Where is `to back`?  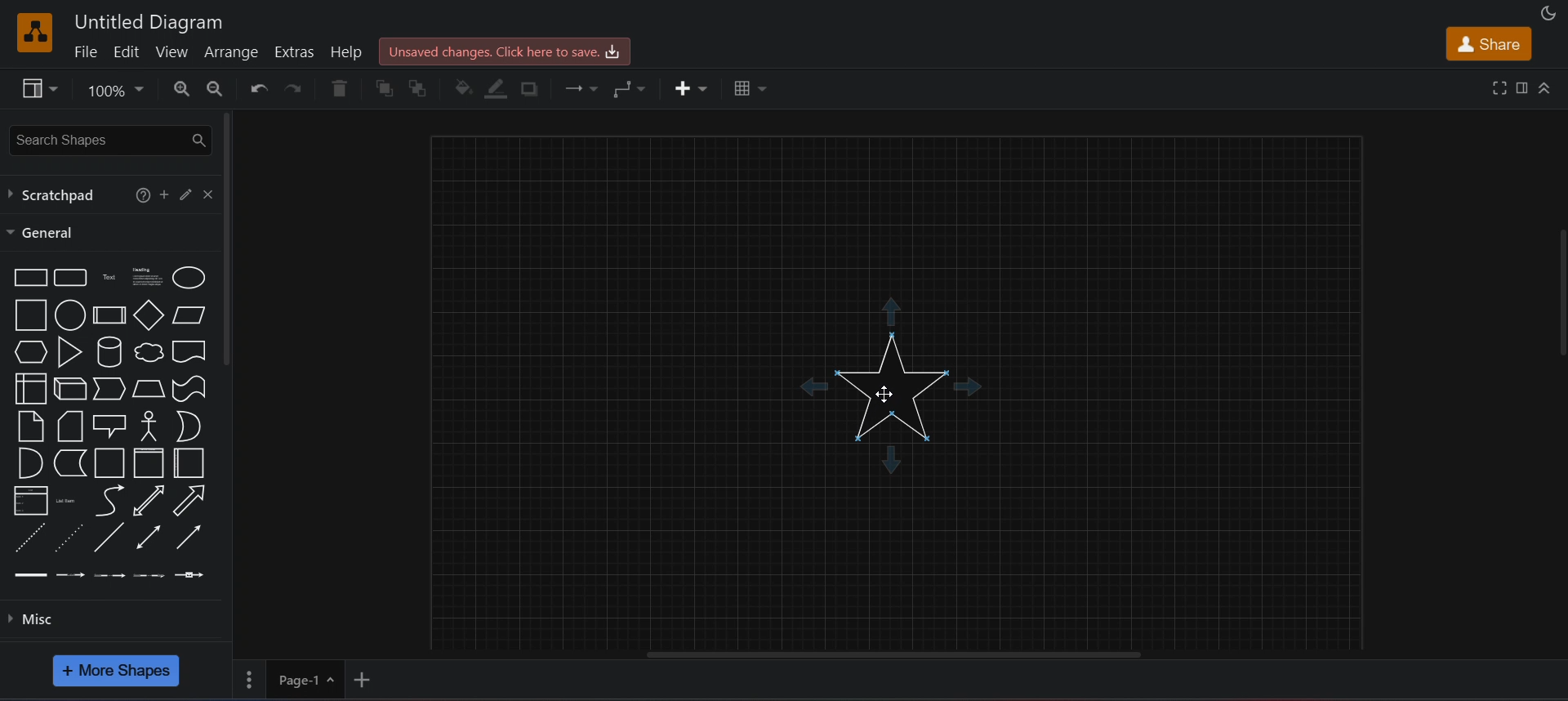
to back is located at coordinates (419, 89).